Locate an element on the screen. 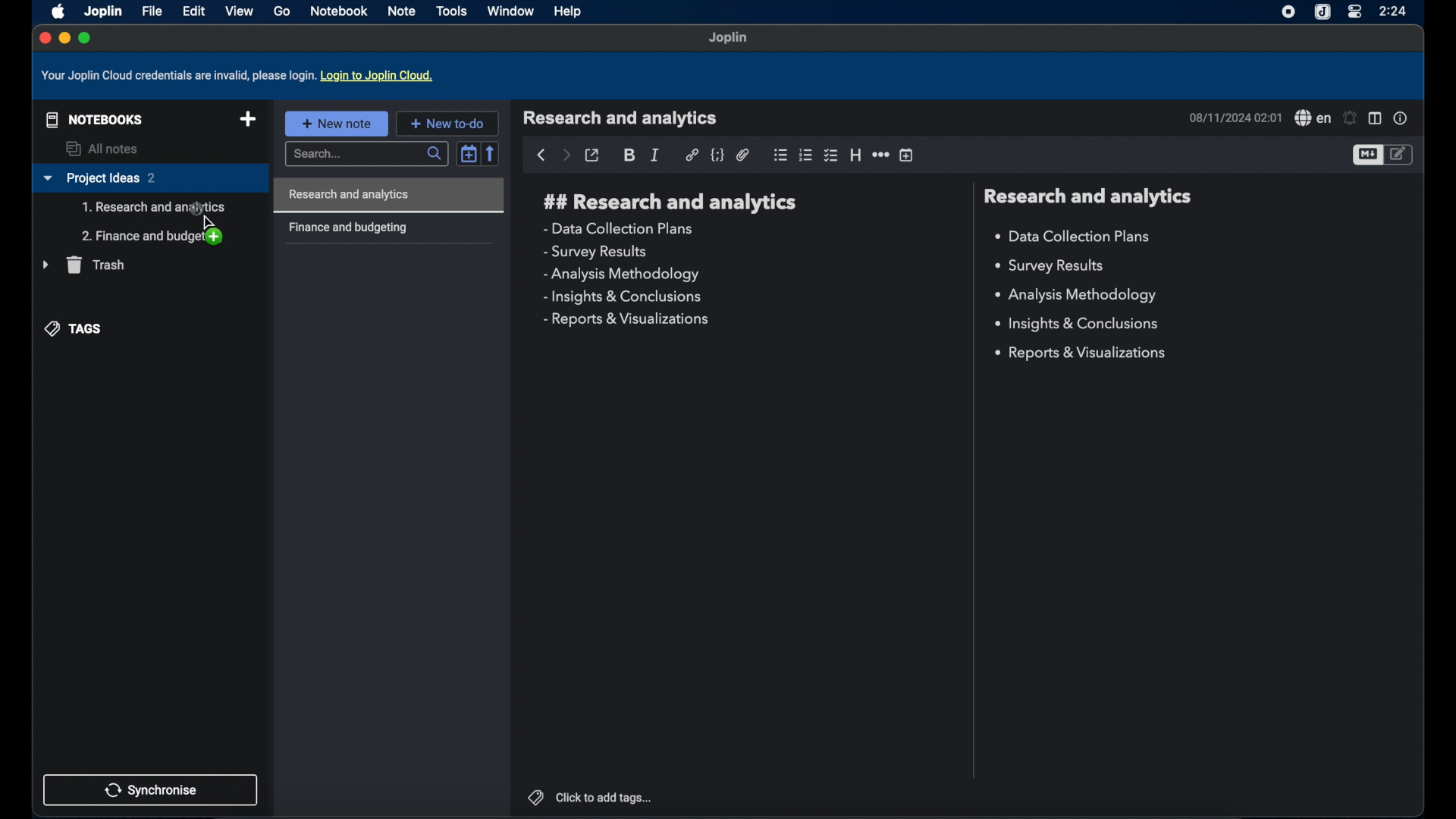 The height and width of the screenshot is (819, 1456). insights and conclusions is located at coordinates (1079, 325).